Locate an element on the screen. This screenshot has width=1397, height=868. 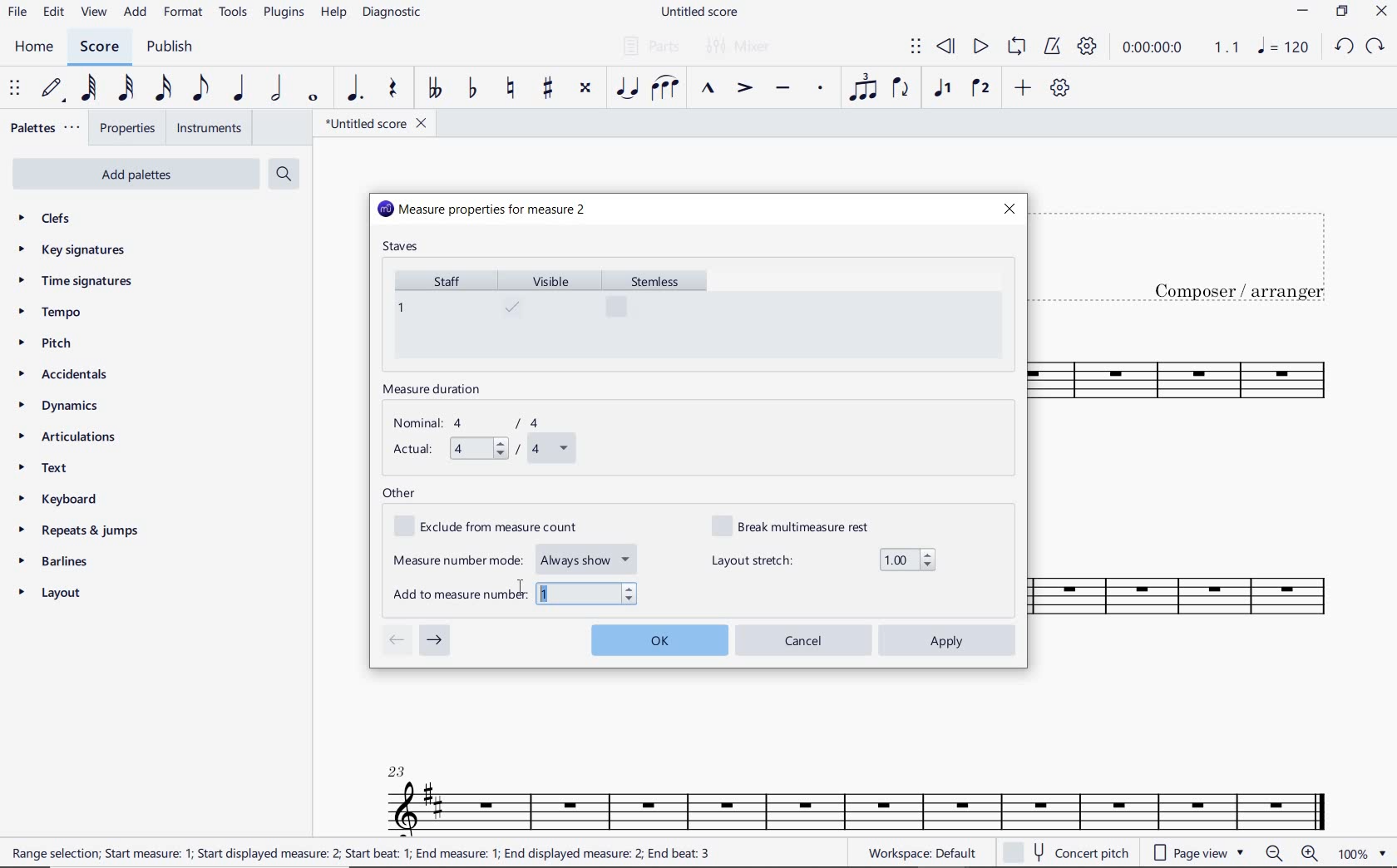
exclude from measure count is located at coordinates (496, 527).